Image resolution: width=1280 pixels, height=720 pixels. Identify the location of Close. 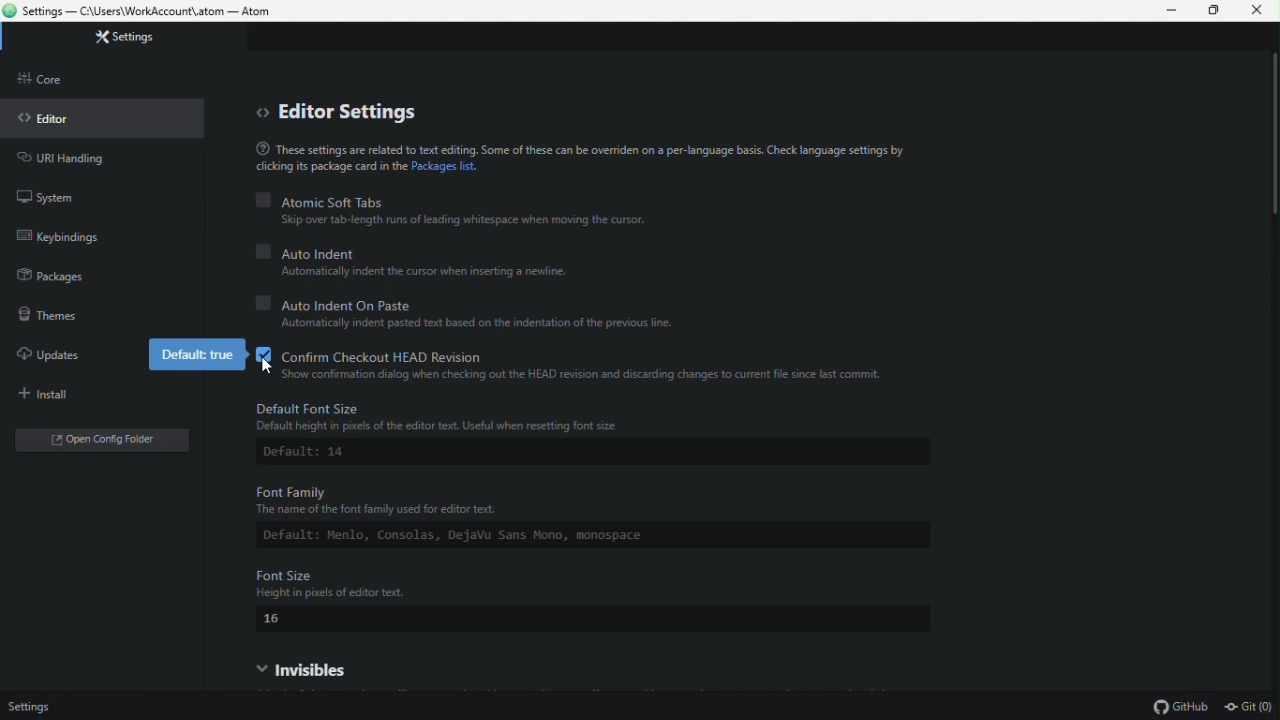
(1258, 15).